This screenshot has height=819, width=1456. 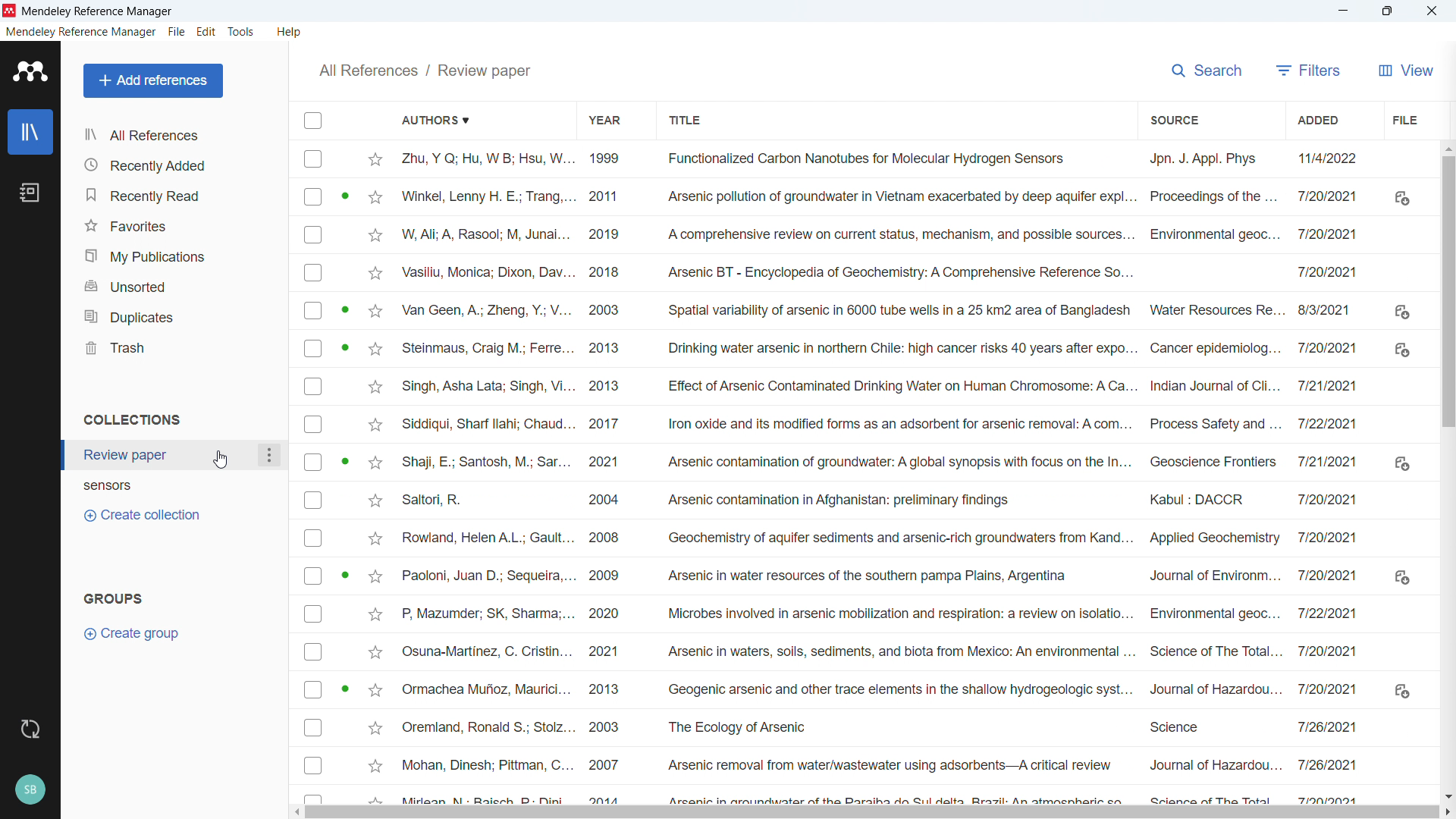 I want to click on Collections , so click(x=134, y=419).